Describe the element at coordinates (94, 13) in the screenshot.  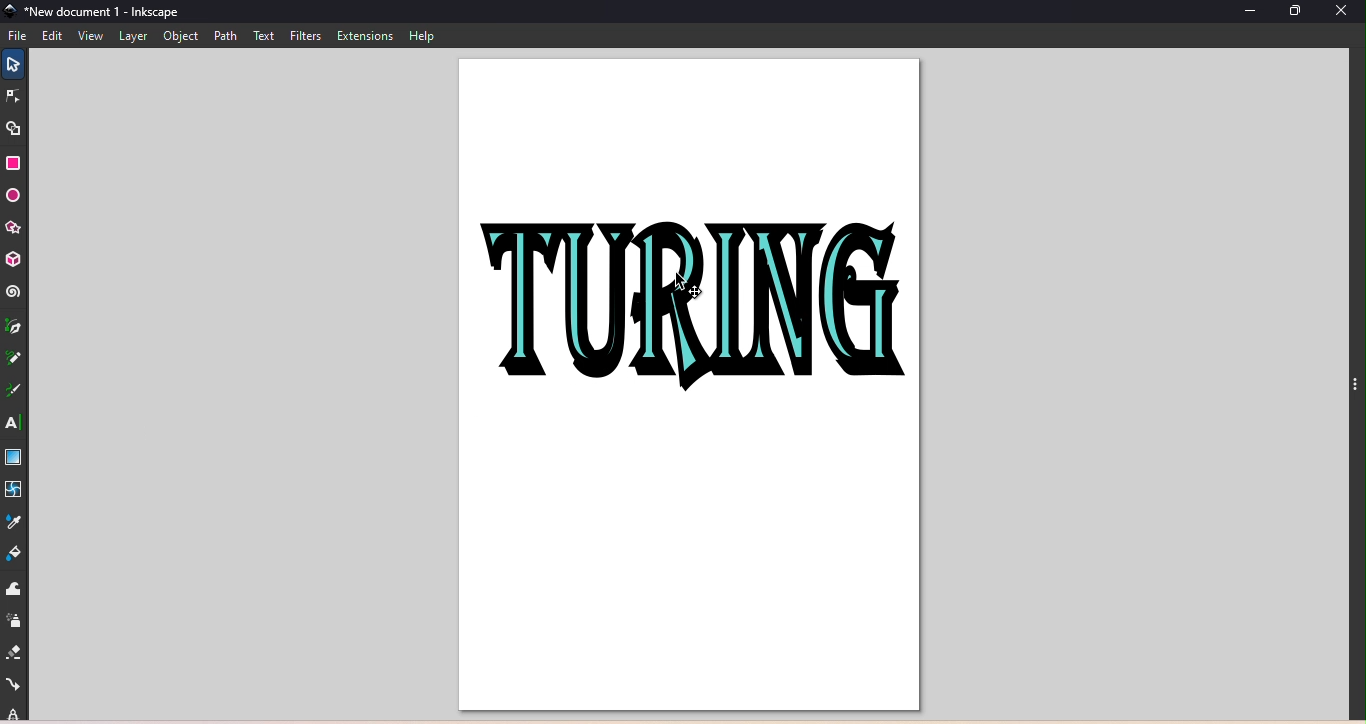
I see `File name` at that location.